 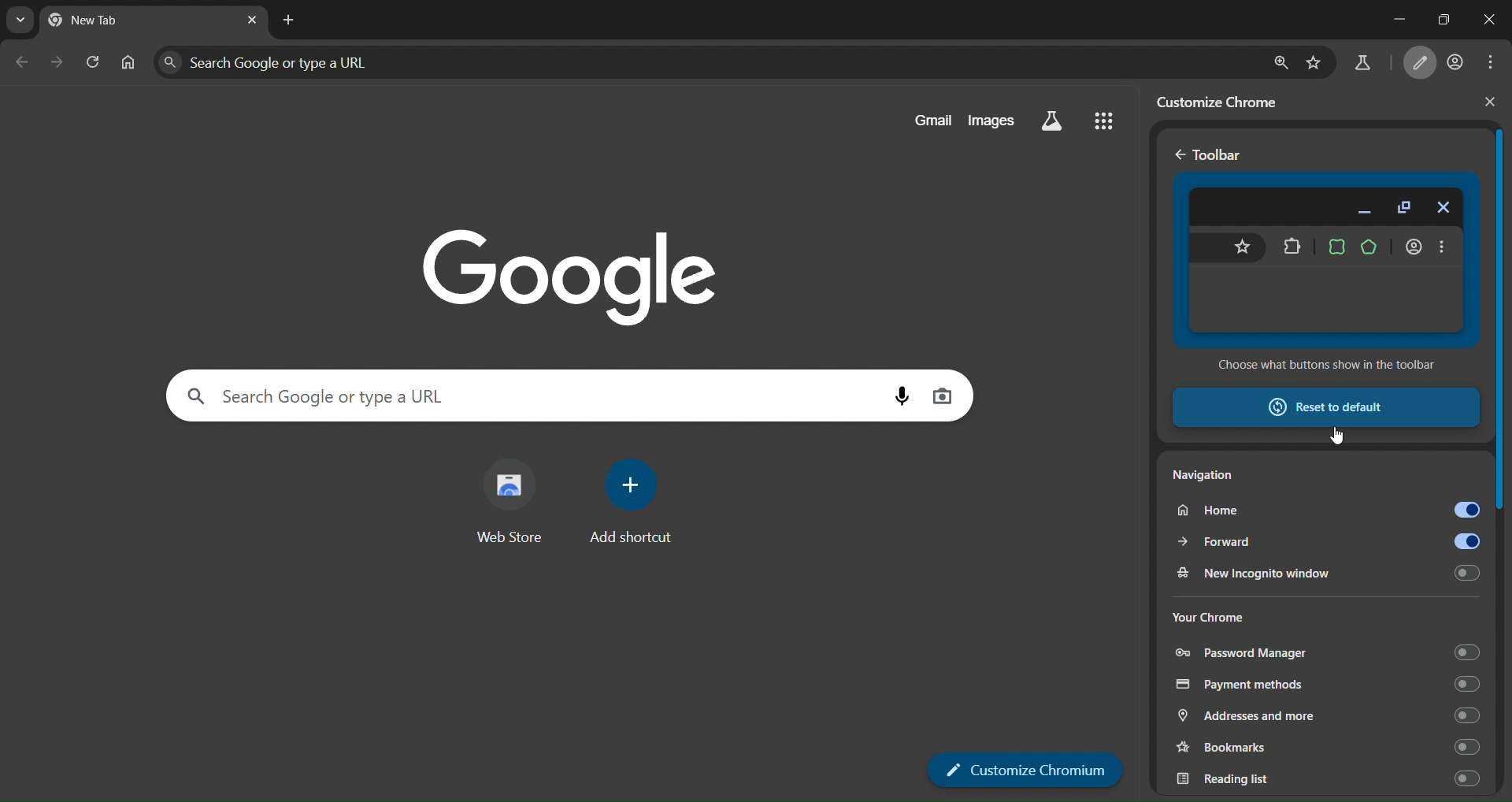 What do you see at coordinates (94, 61) in the screenshot?
I see `reload` at bounding box center [94, 61].